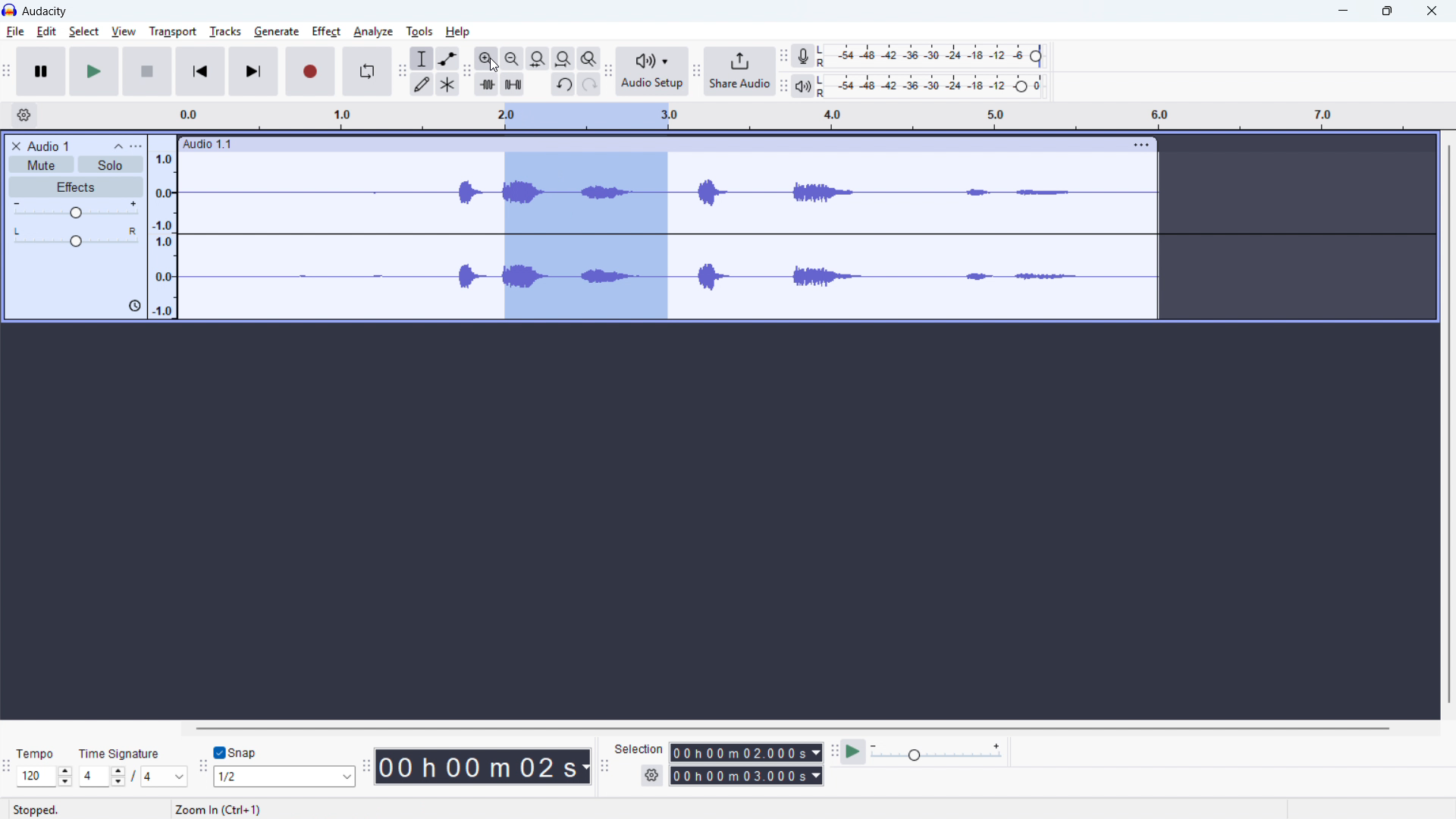 The width and height of the screenshot is (1456, 819). Describe the element at coordinates (422, 58) in the screenshot. I see `Selection tool` at that location.